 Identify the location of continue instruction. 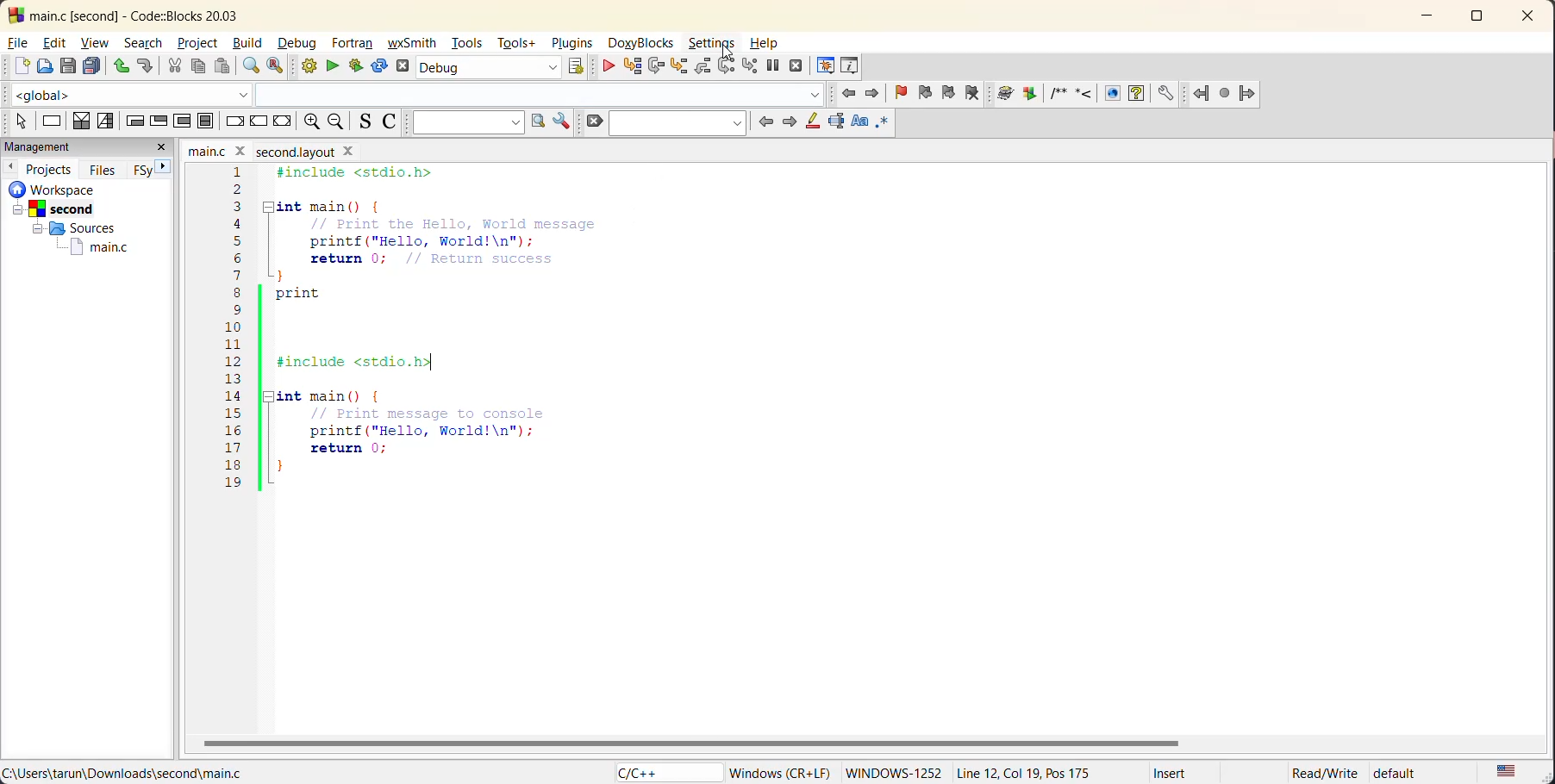
(259, 121).